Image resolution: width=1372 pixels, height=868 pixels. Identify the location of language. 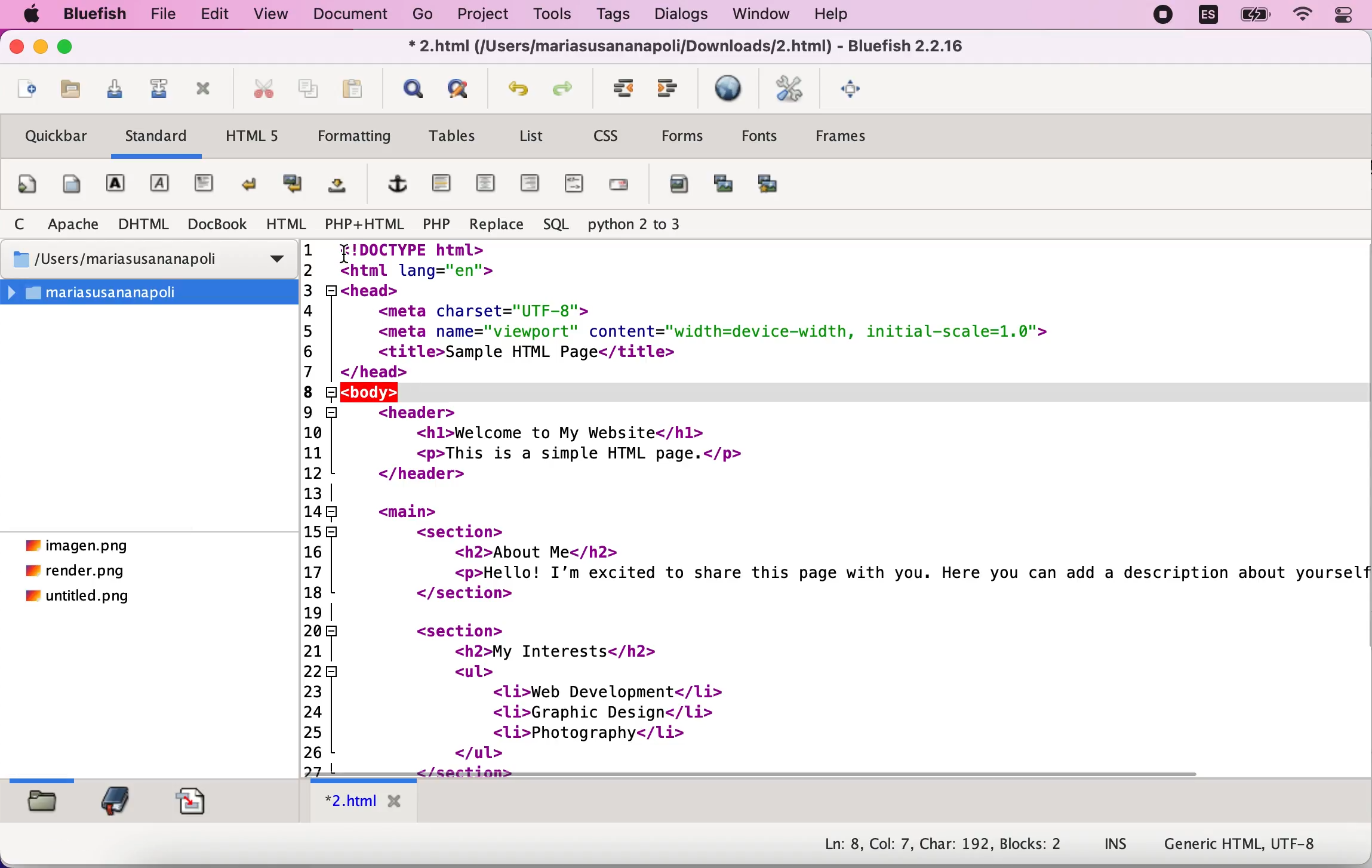
(1210, 18).